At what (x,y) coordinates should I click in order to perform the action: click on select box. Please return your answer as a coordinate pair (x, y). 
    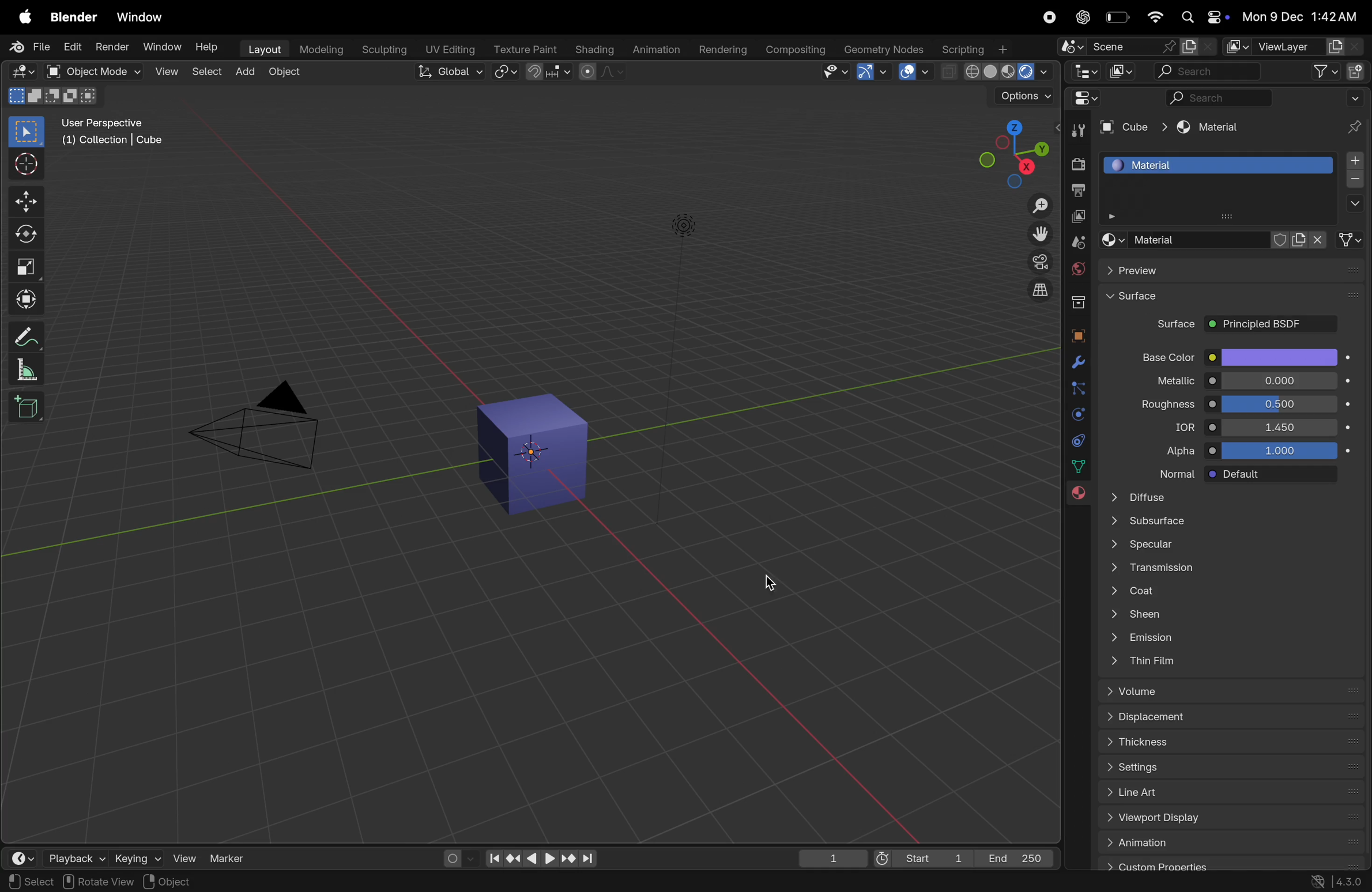
    Looking at the image, I should click on (26, 132).